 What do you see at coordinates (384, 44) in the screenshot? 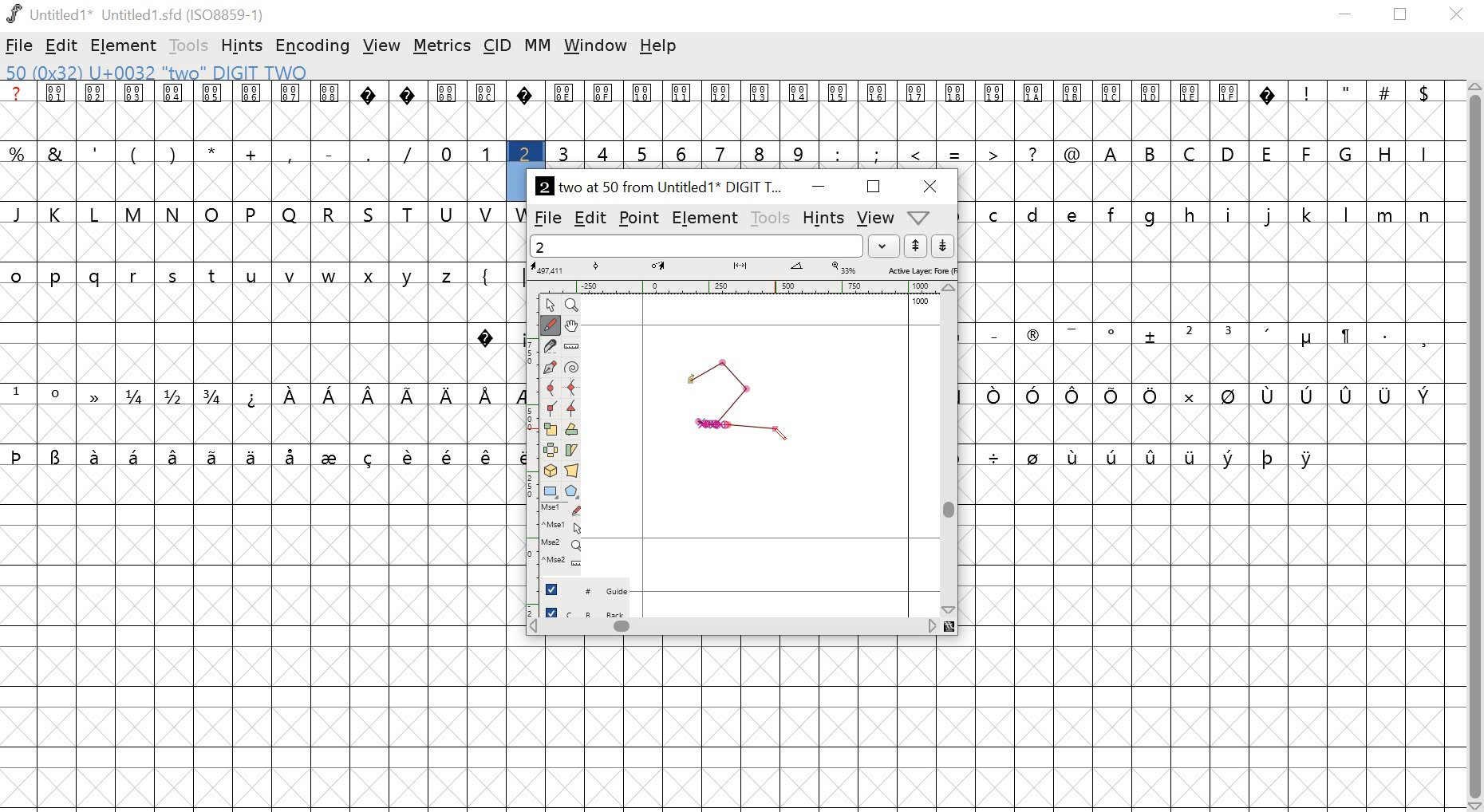
I see `view` at bounding box center [384, 44].